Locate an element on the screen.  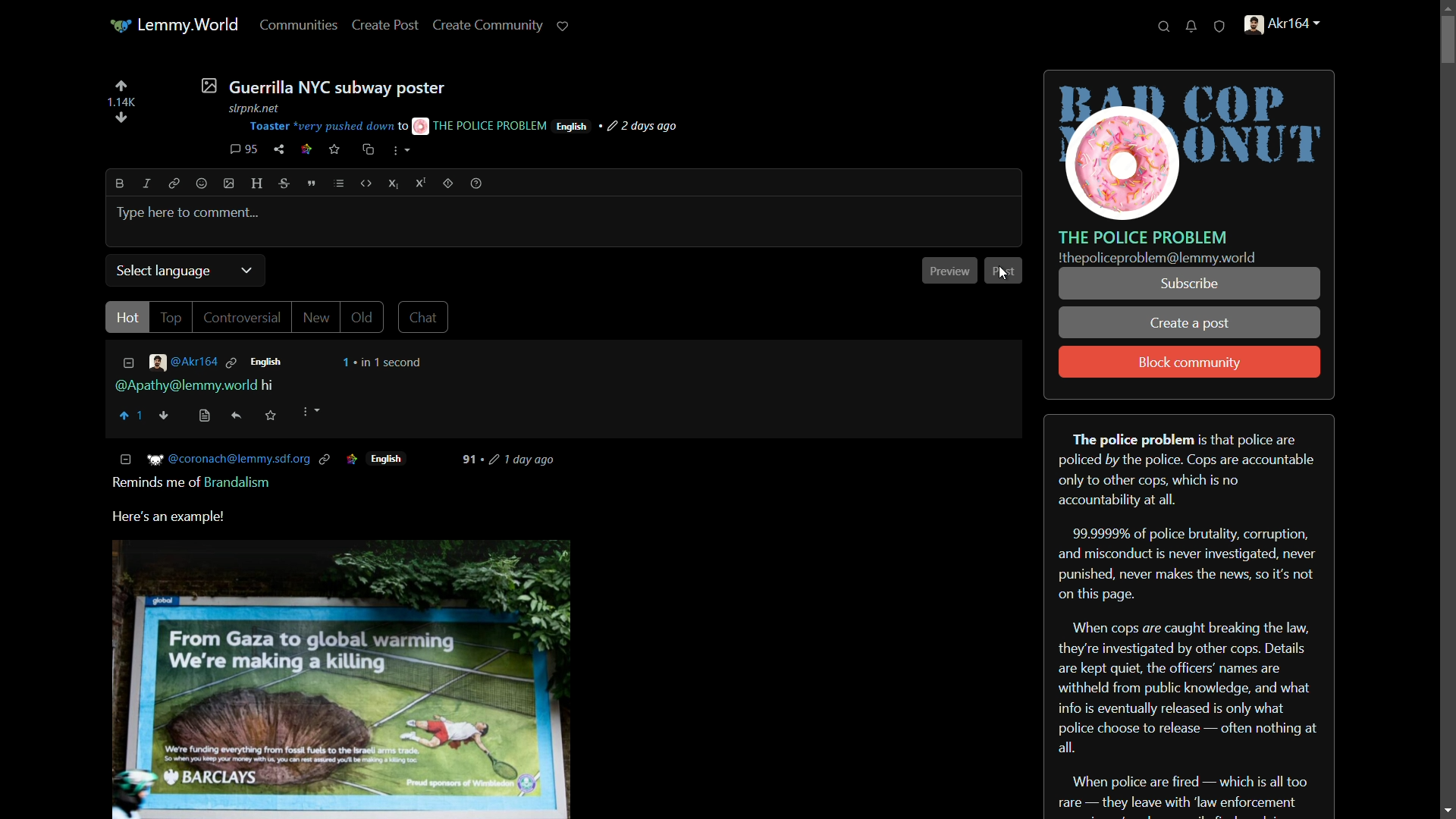
hi is located at coordinates (274, 385).